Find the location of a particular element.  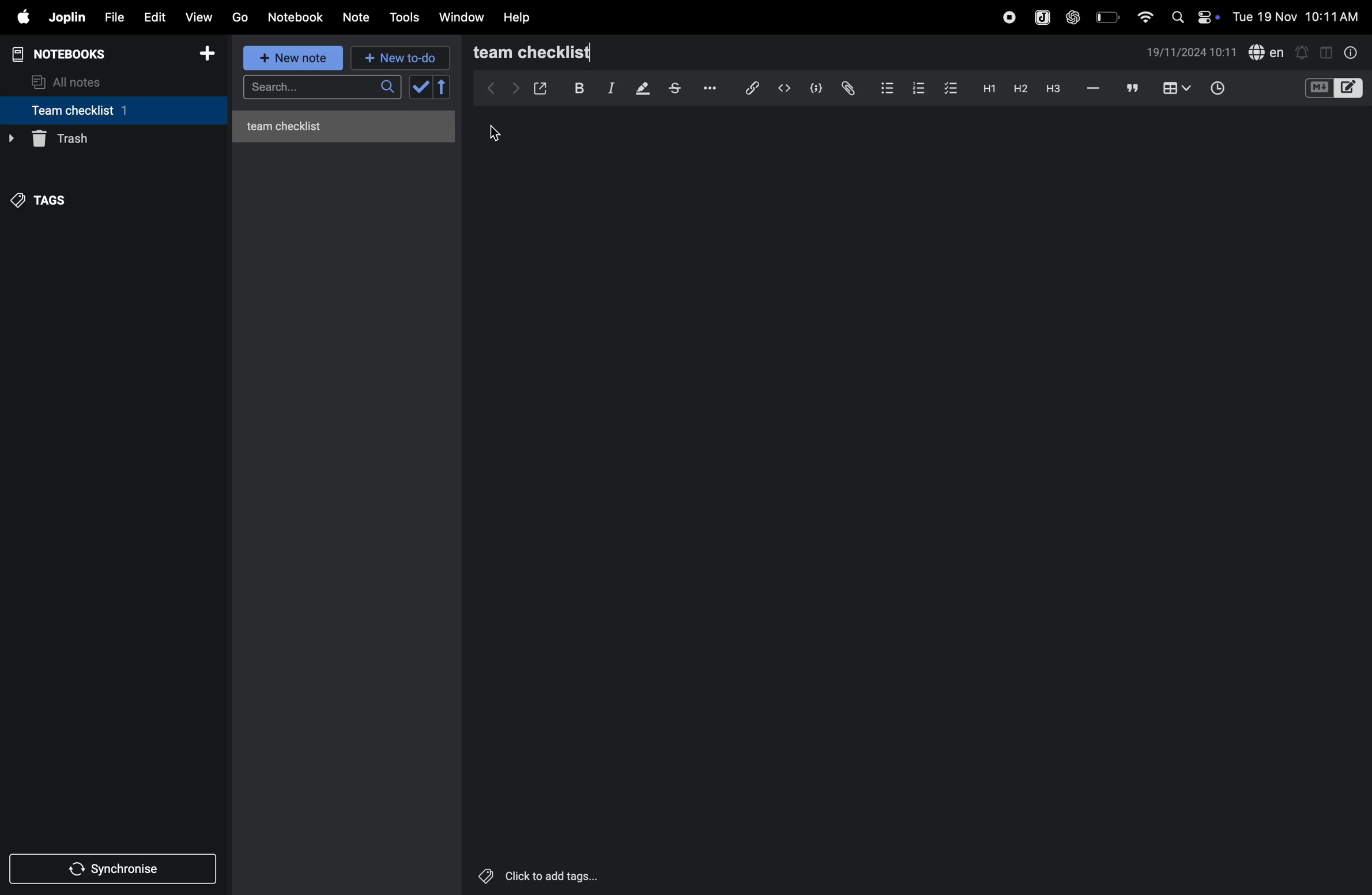

editor layout is located at coordinates (1350, 87).